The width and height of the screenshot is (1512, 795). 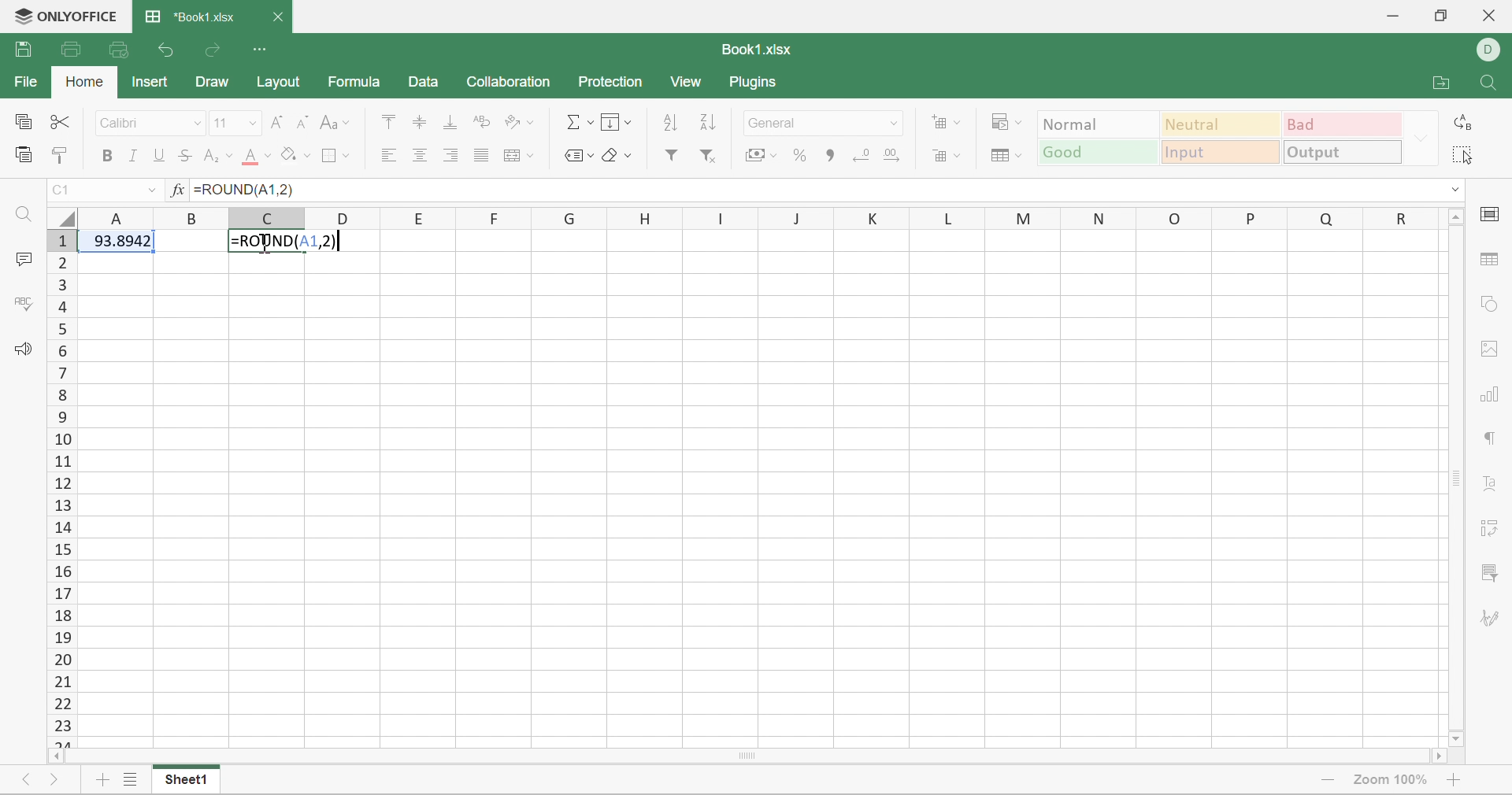 What do you see at coordinates (777, 123) in the screenshot?
I see `General` at bounding box center [777, 123].